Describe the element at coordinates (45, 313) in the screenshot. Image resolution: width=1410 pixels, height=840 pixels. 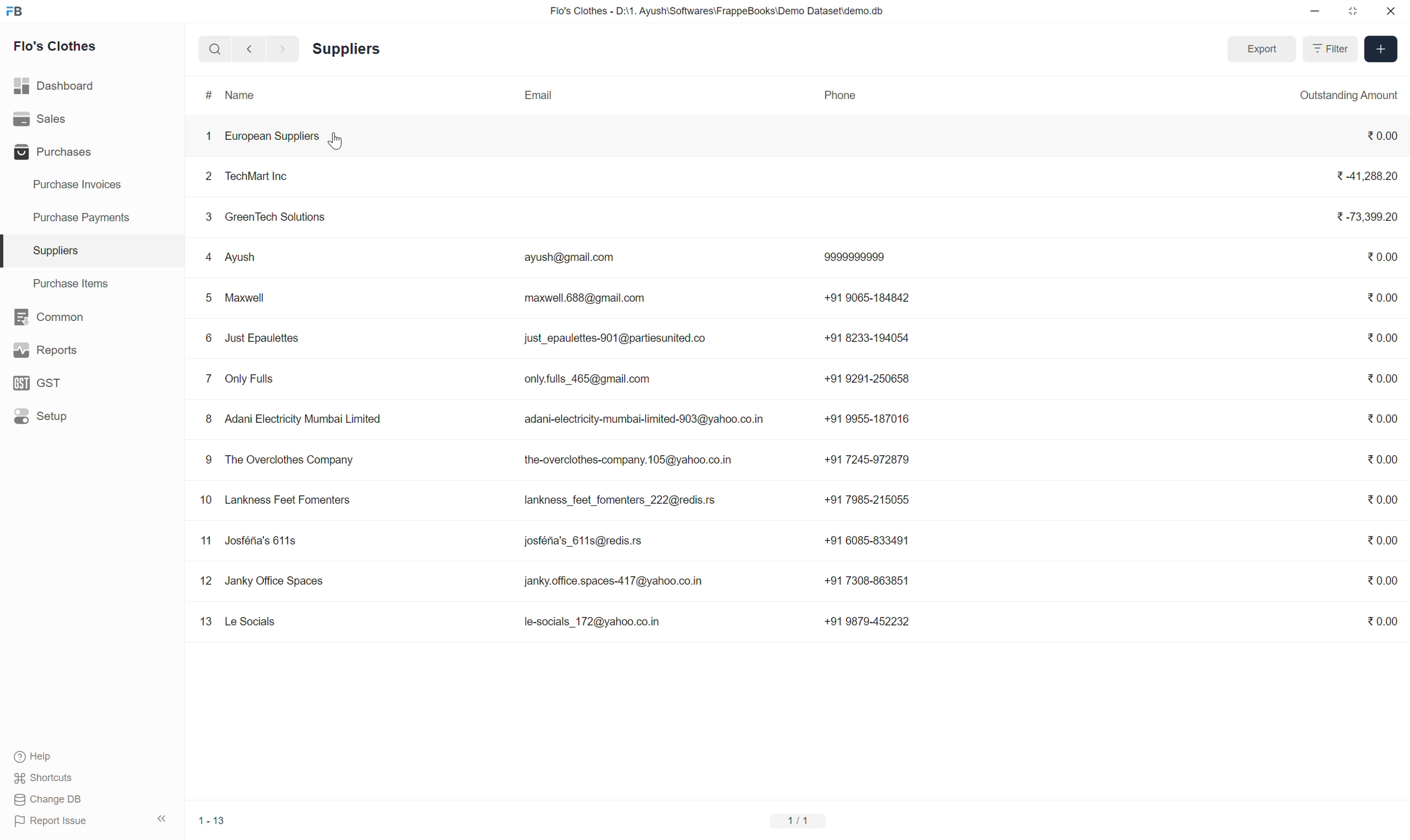
I see `BE Common` at that location.